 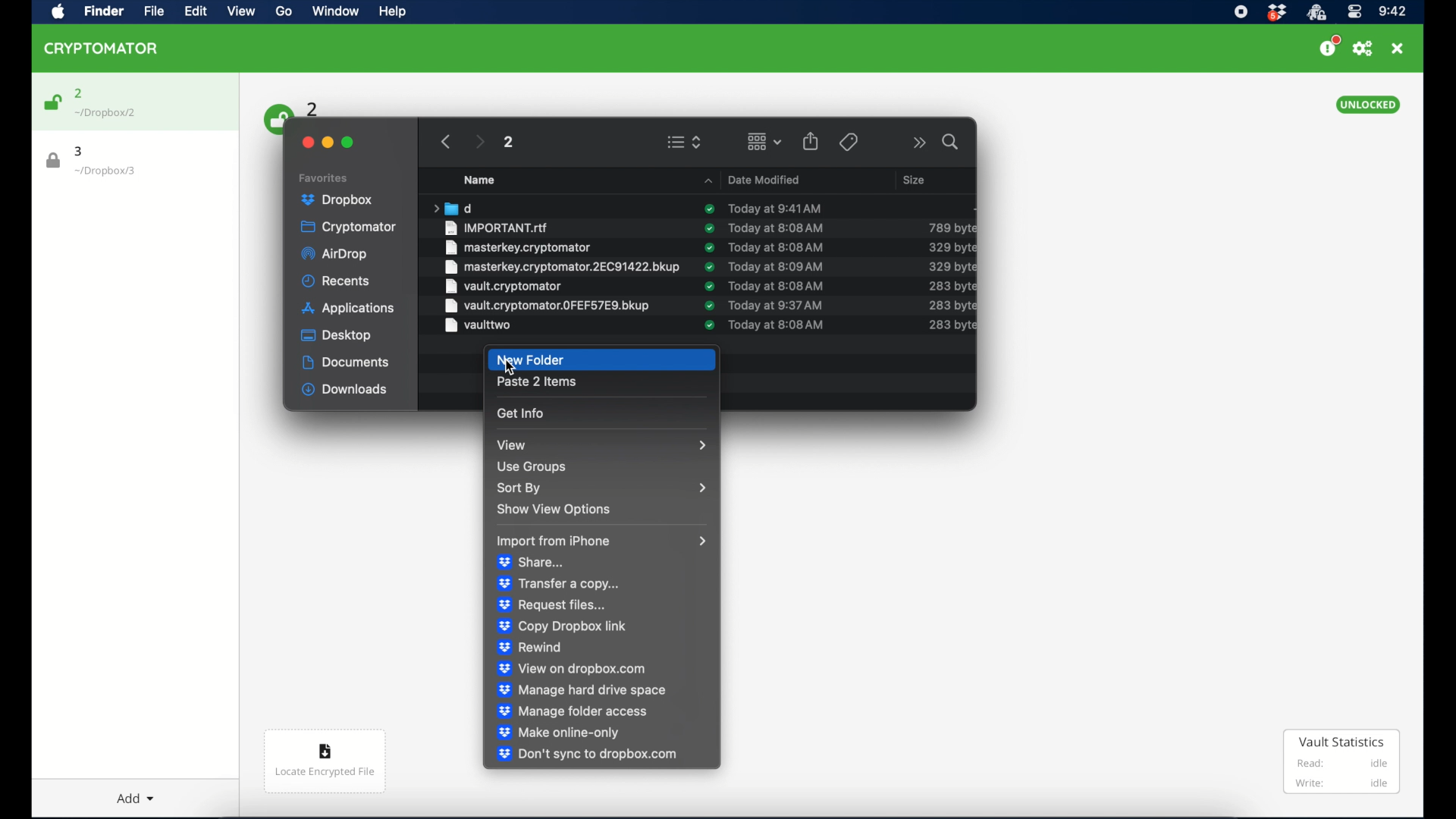 I want to click on date, so click(x=775, y=208).